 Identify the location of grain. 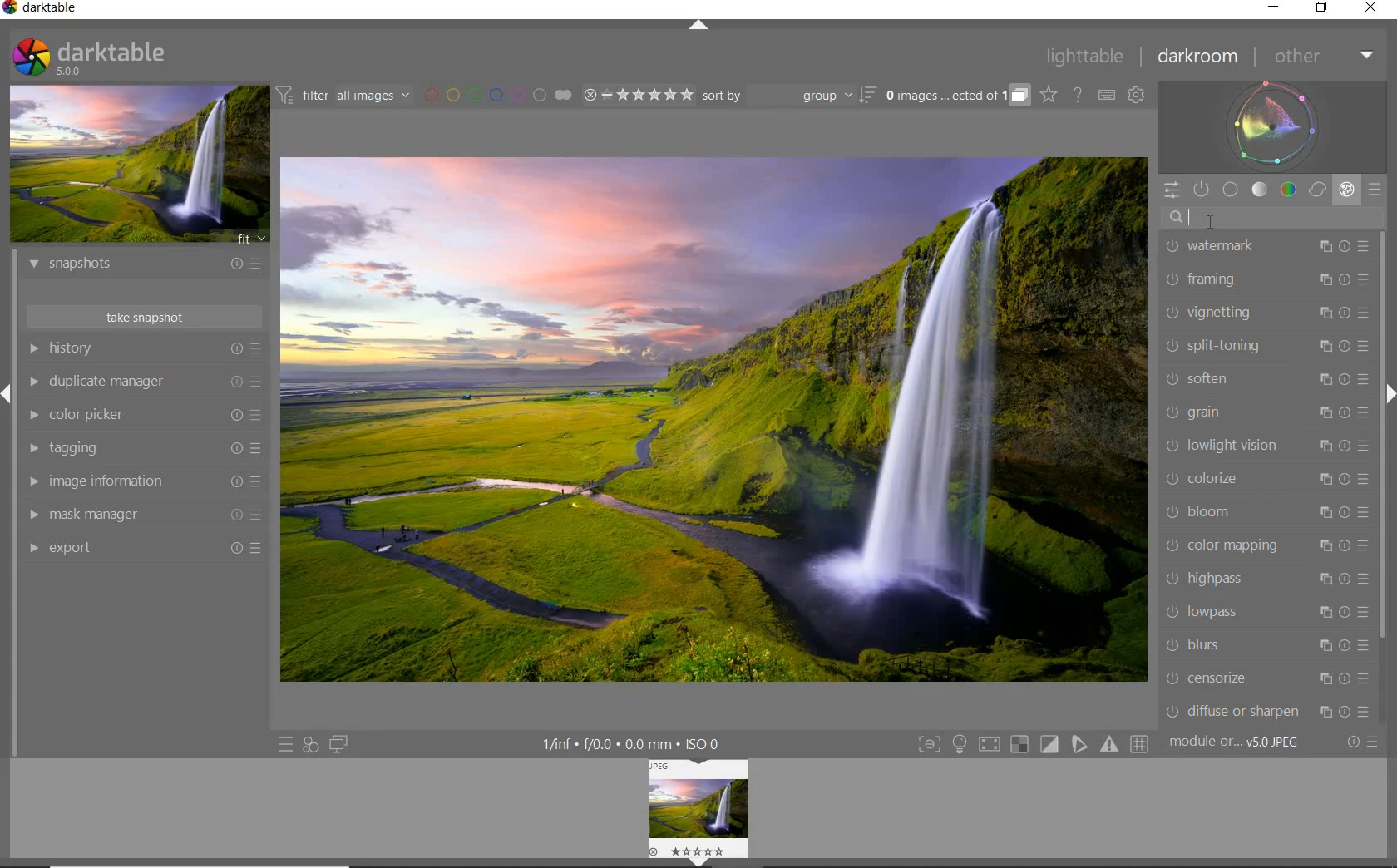
(1266, 414).